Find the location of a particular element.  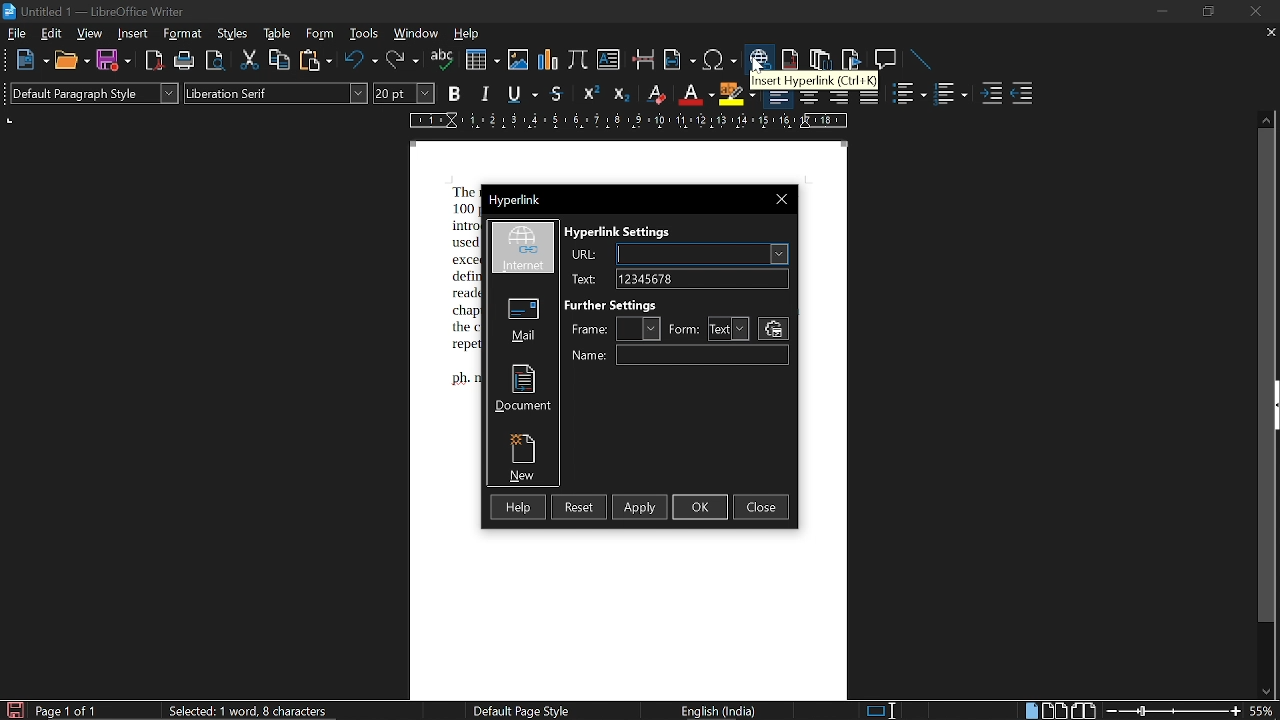

further settings is located at coordinates (615, 305).